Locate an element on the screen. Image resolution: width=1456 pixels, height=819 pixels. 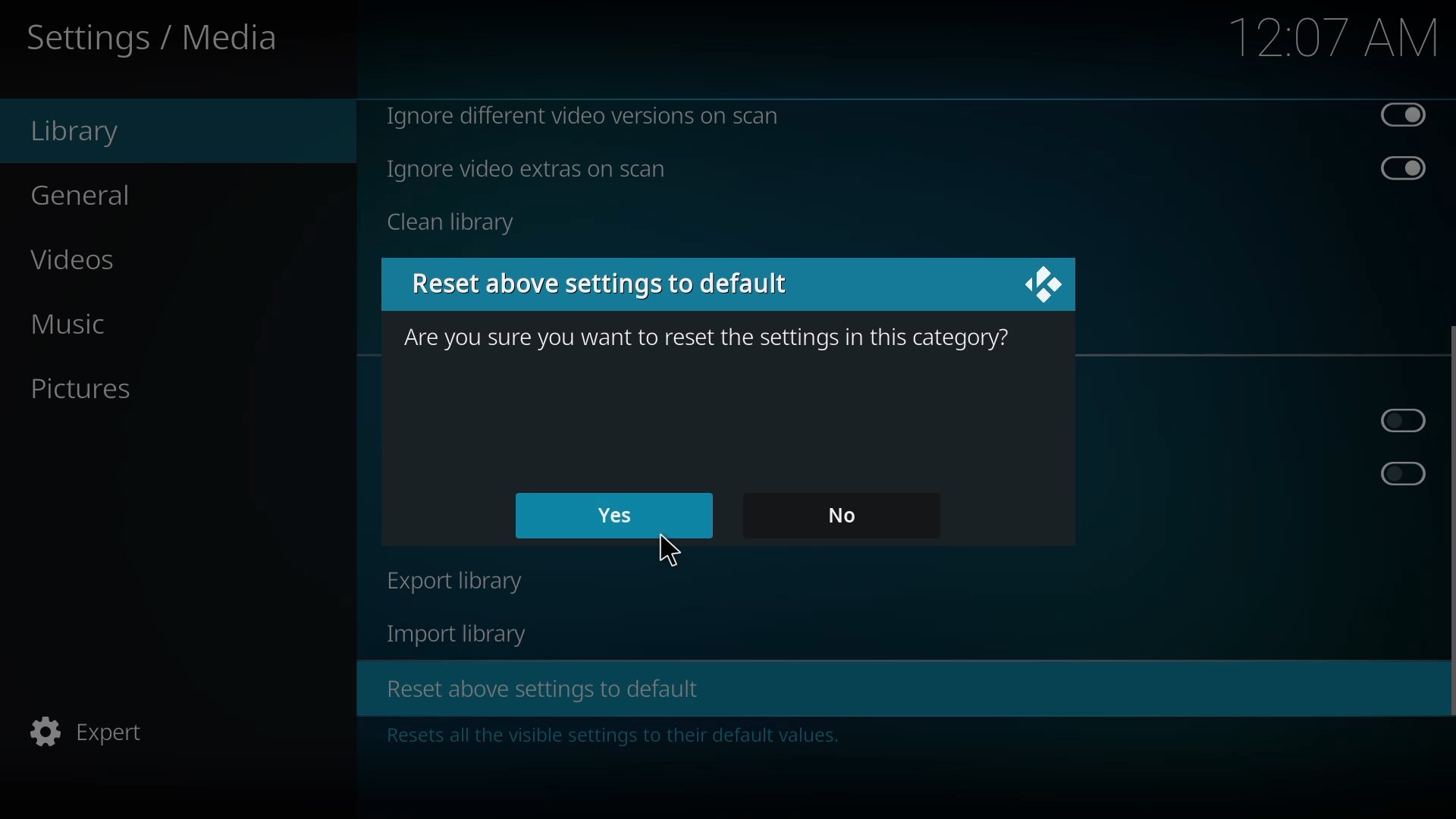
music is located at coordinates (67, 324).